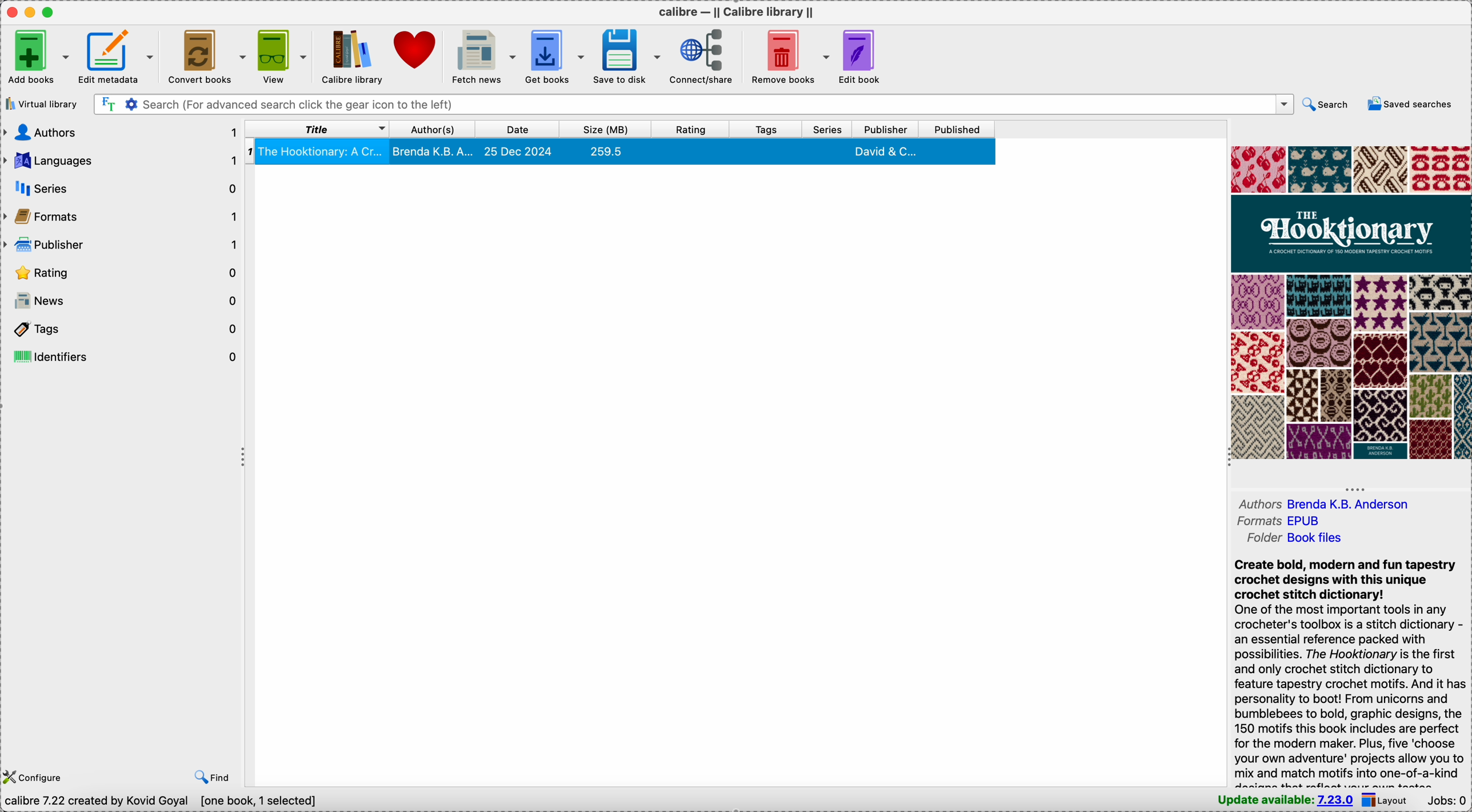 This screenshot has height=812, width=1472. I want to click on languages, so click(122, 158).